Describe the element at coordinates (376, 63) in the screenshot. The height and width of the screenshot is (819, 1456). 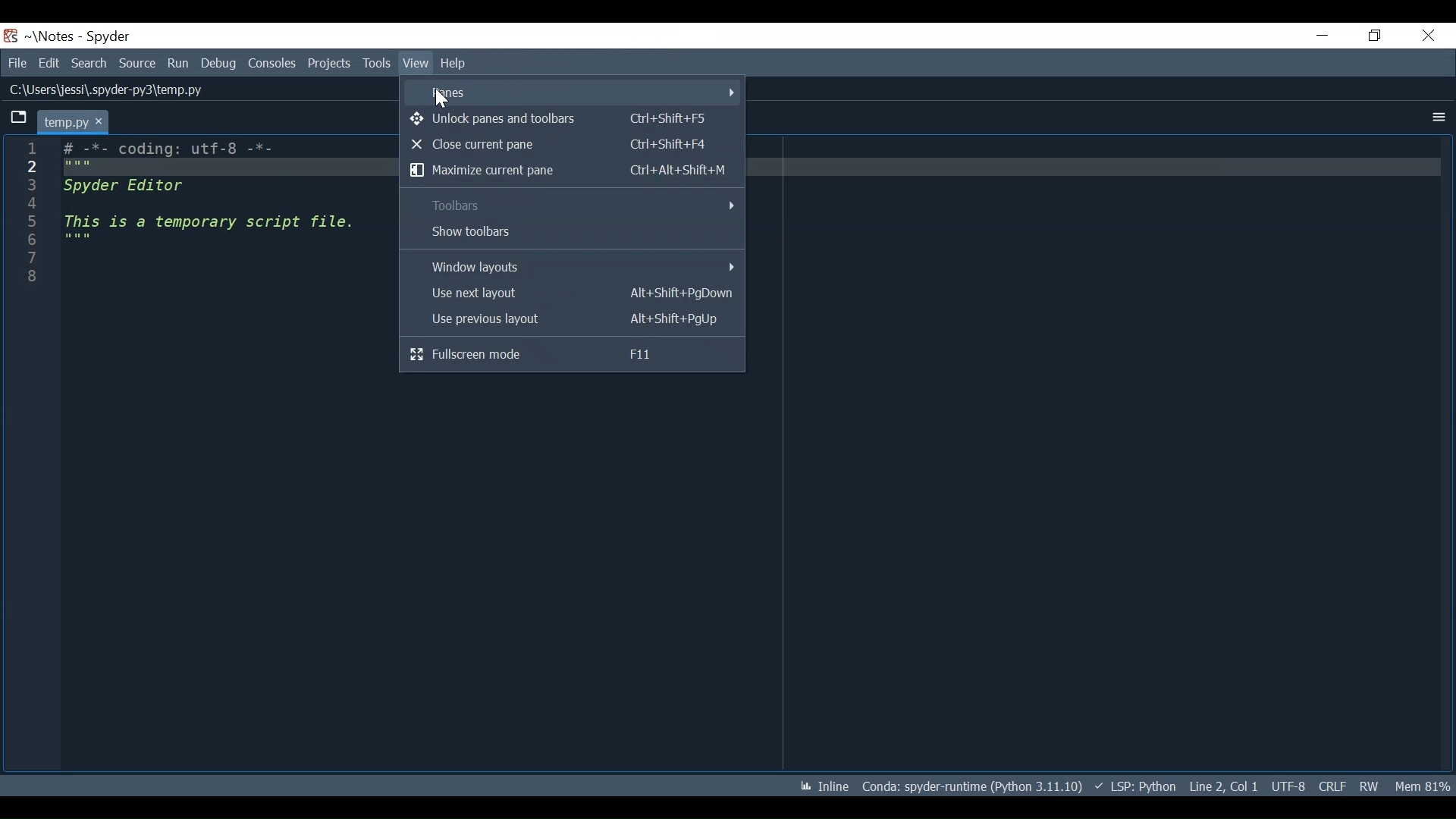
I see `View` at that location.